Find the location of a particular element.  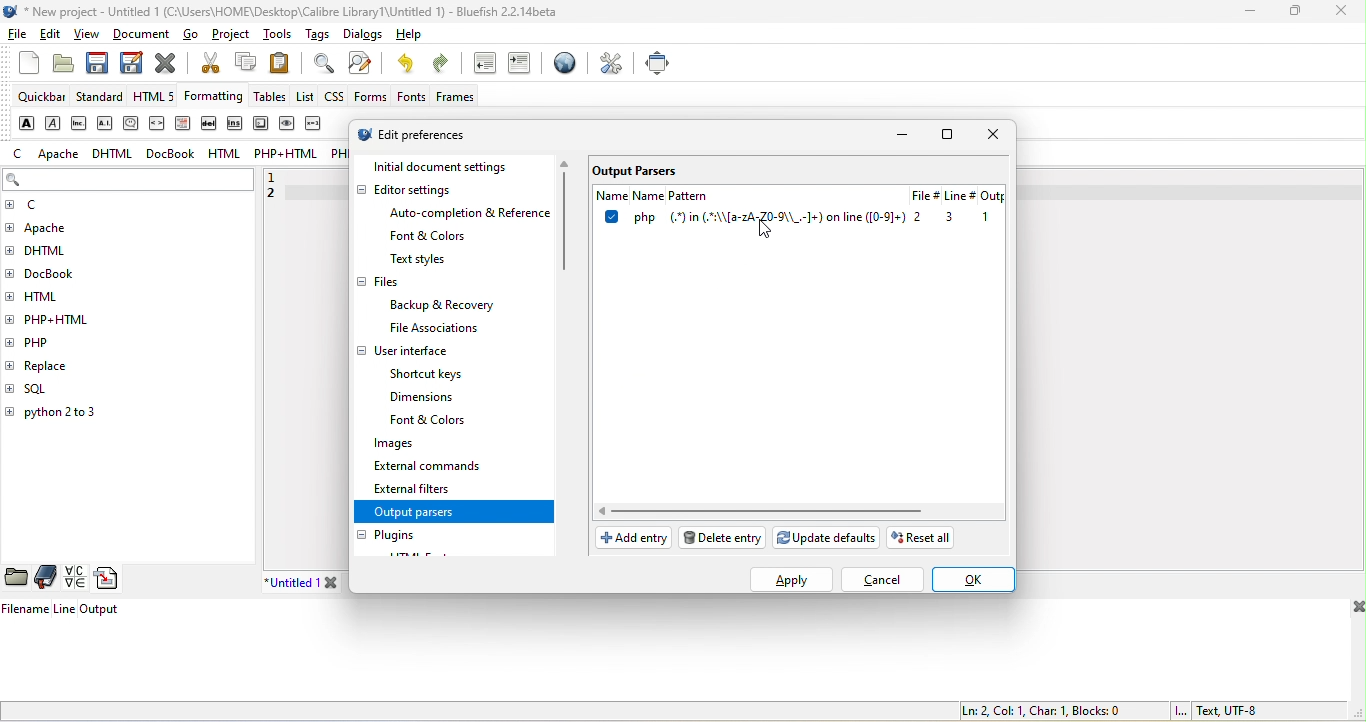

title is located at coordinates (282, 10).